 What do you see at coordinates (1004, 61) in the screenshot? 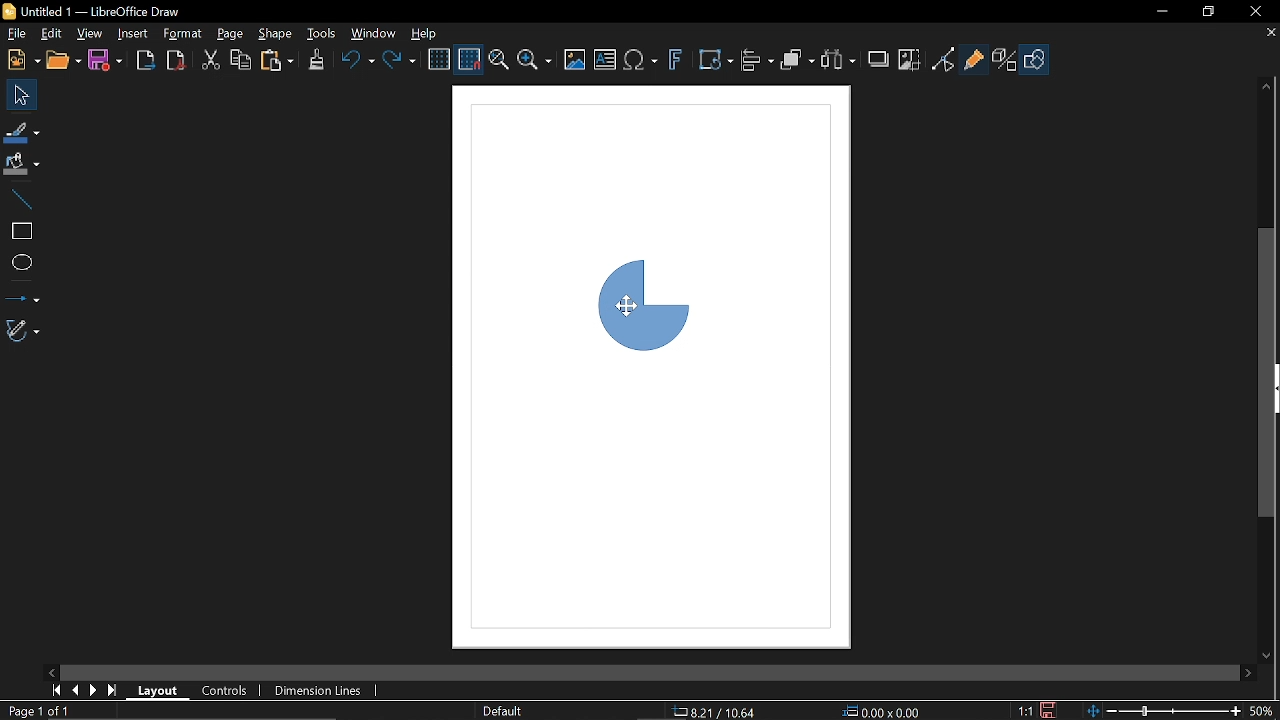
I see `Toggle extrusion` at bounding box center [1004, 61].